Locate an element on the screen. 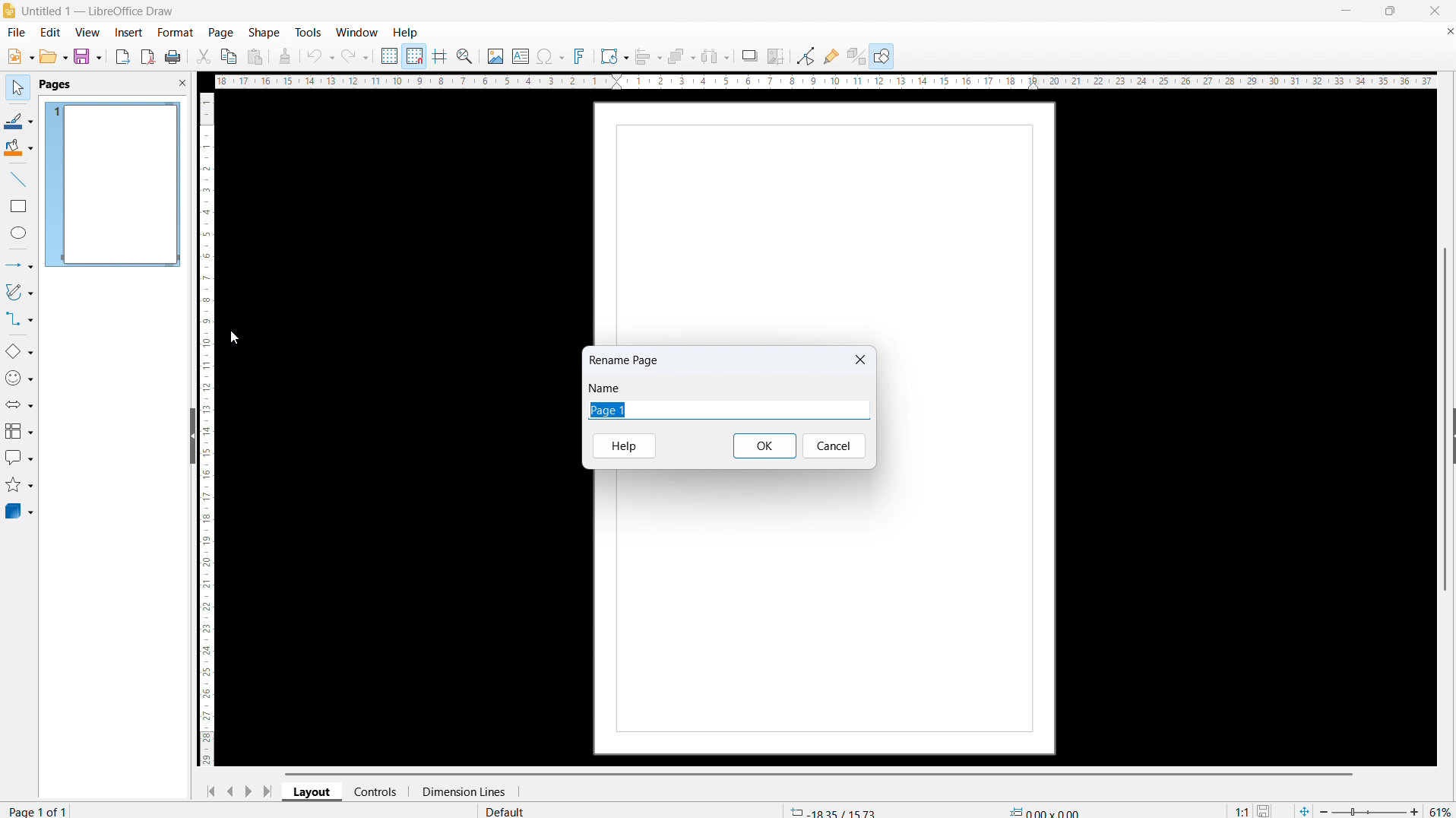 The width and height of the screenshot is (1456, 818). line tool is located at coordinates (18, 179).